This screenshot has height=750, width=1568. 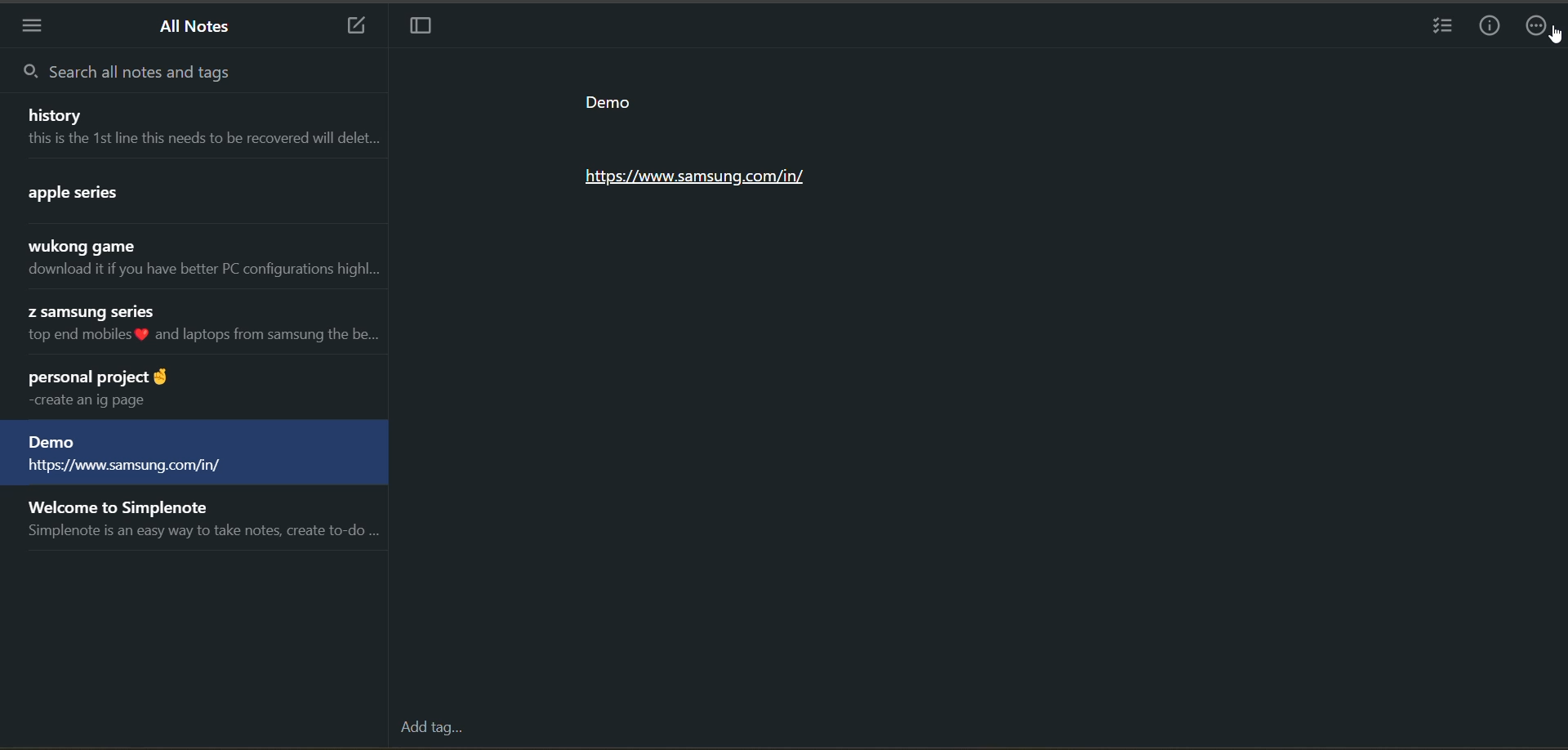 I want to click on search all notes and tags, so click(x=132, y=73).